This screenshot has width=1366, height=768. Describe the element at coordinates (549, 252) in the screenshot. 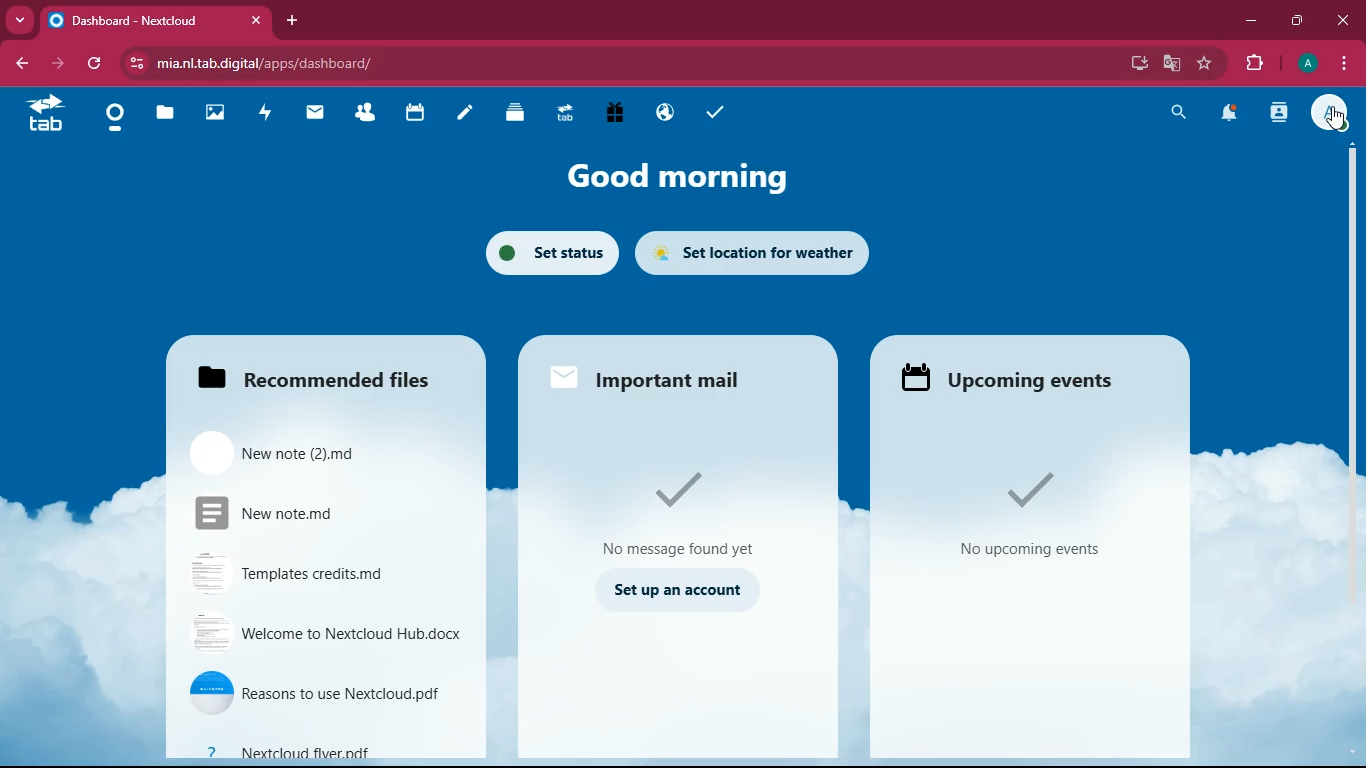

I see `set status` at that location.